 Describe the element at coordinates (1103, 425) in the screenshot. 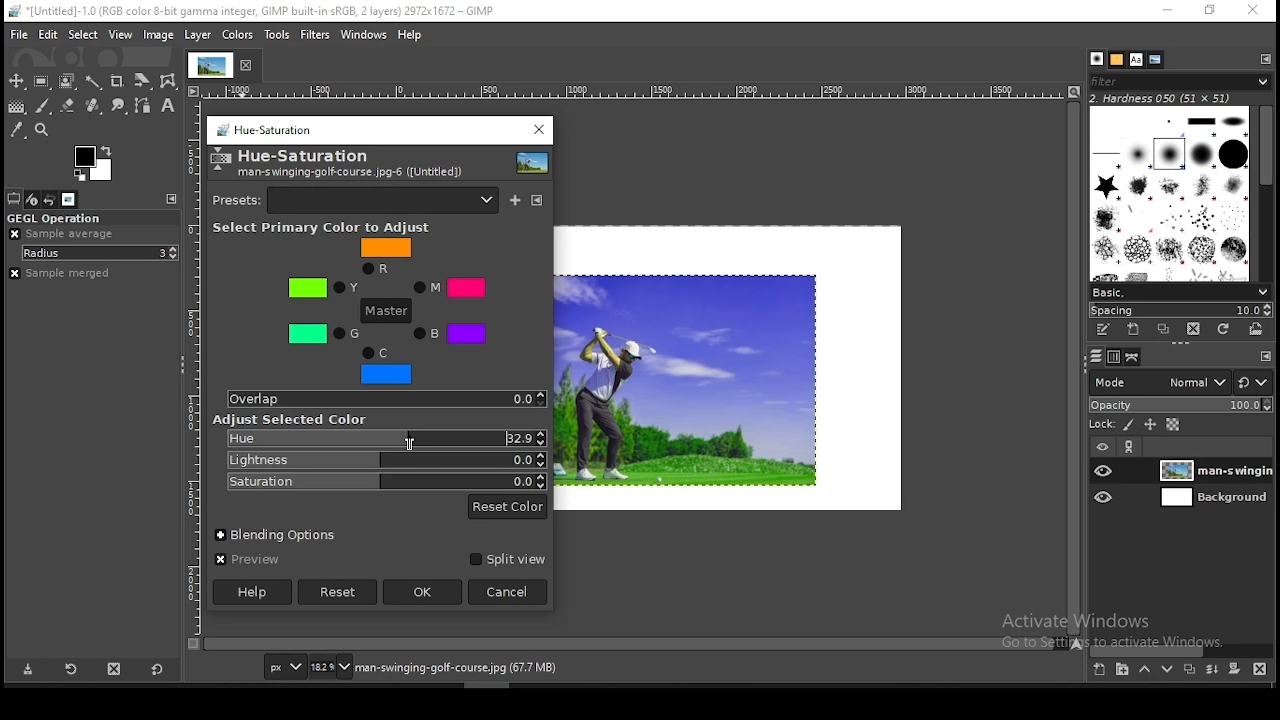

I see `lock` at that location.